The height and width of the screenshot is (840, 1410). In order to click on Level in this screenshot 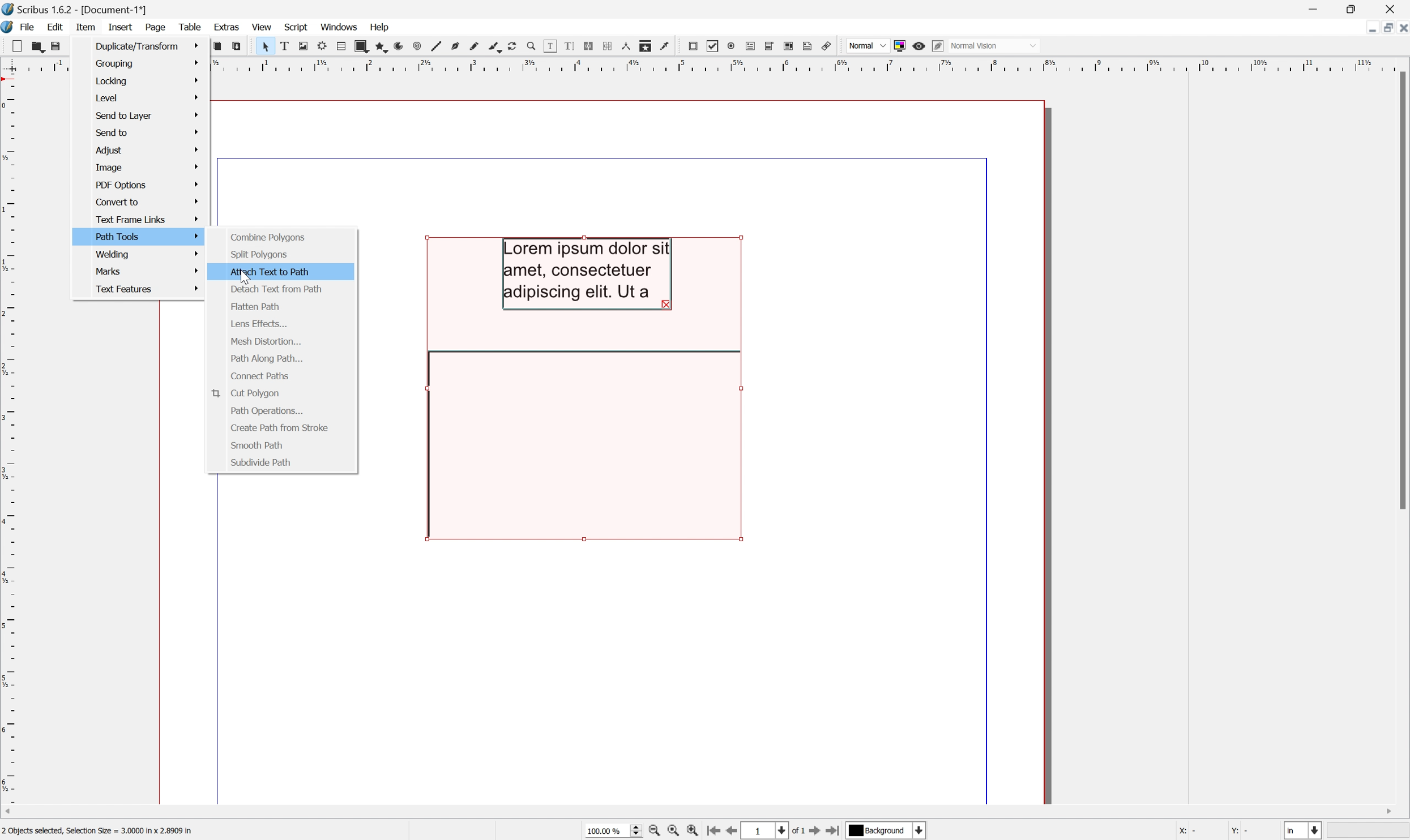, I will do `click(147, 96)`.